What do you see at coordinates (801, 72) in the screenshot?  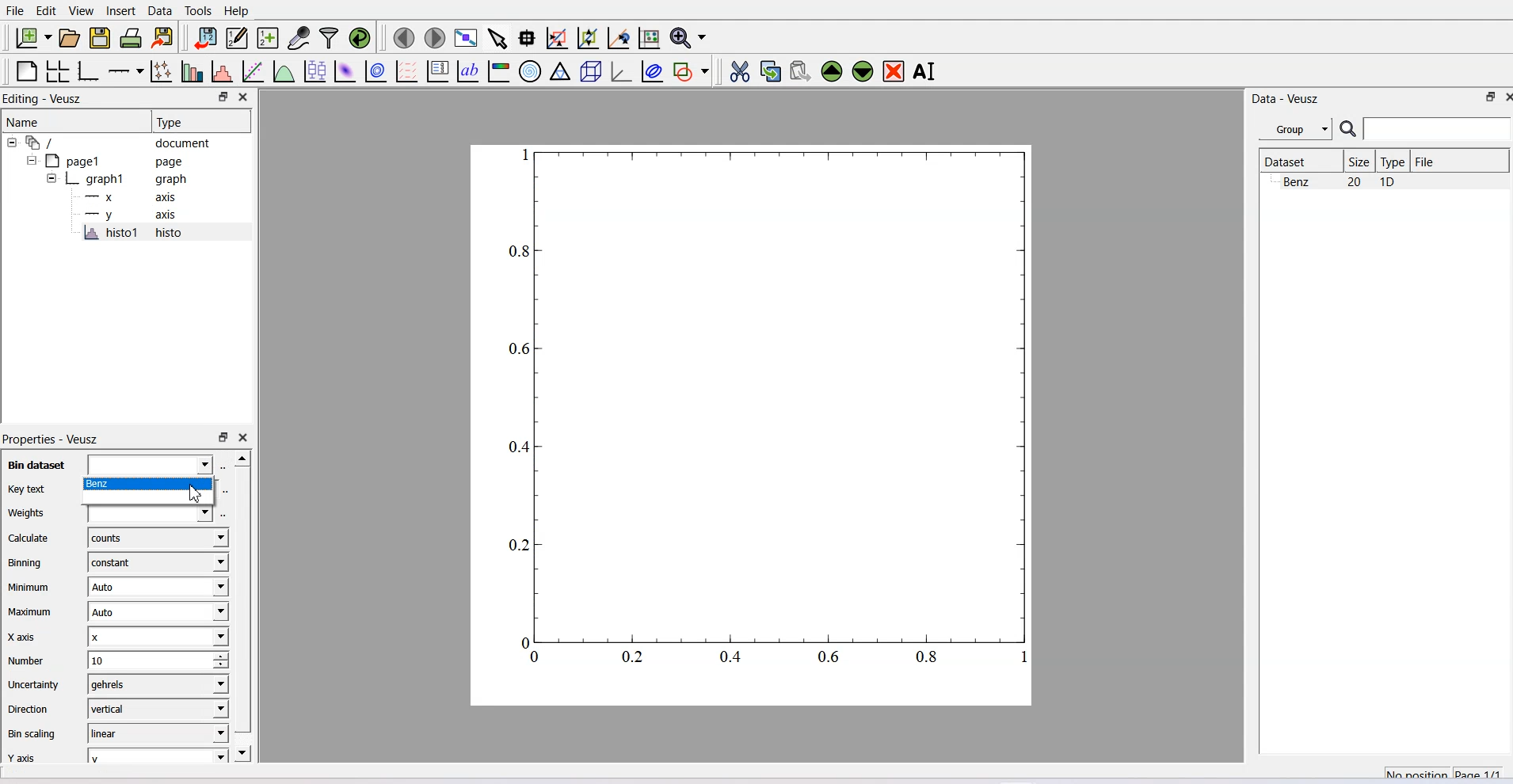 I see `Paste widget from the clipboard` at bounding box center [801, 72].